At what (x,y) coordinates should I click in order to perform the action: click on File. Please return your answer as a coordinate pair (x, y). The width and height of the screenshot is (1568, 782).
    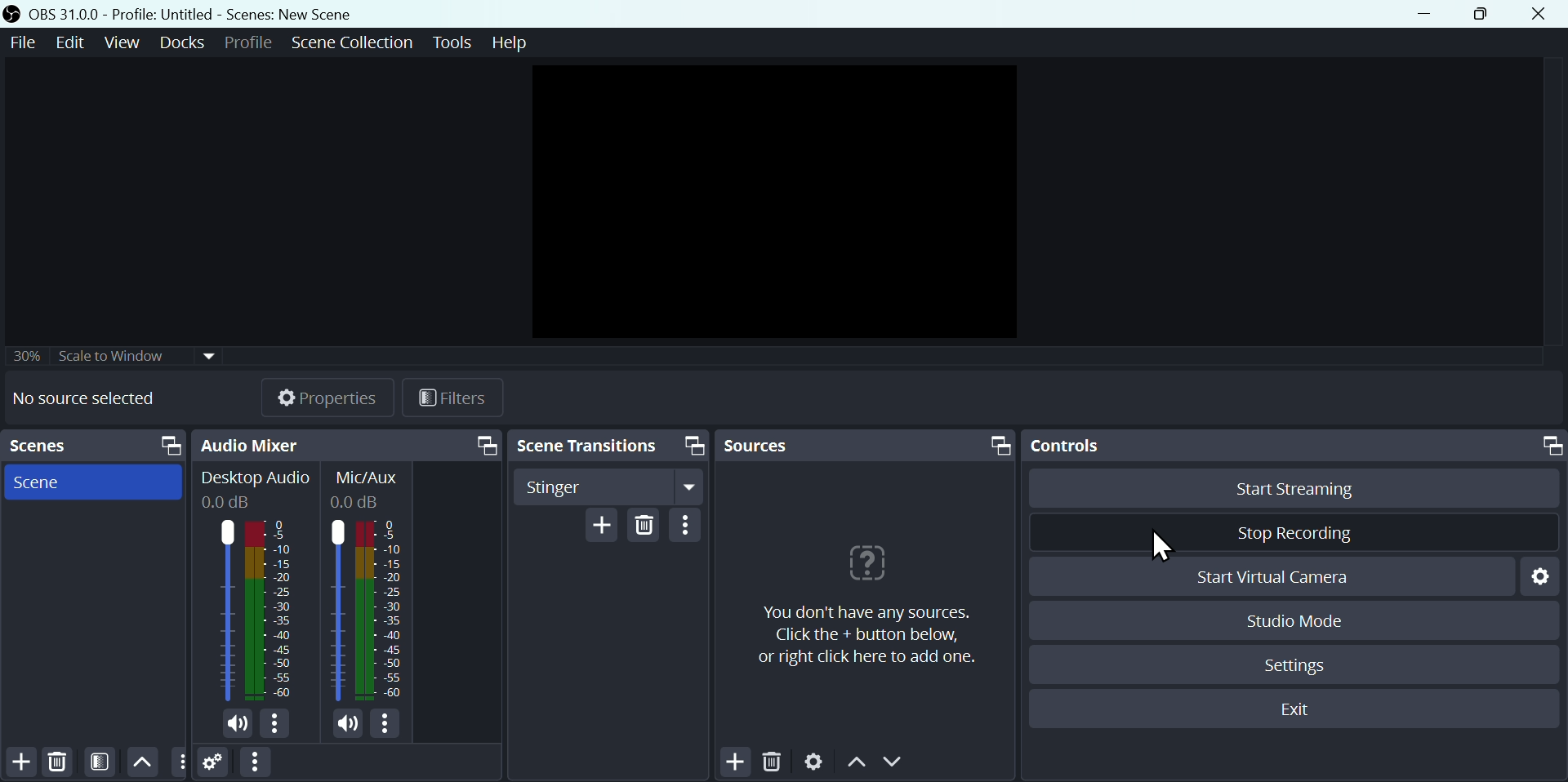
    Looking at the image, I should click on (27, 47).